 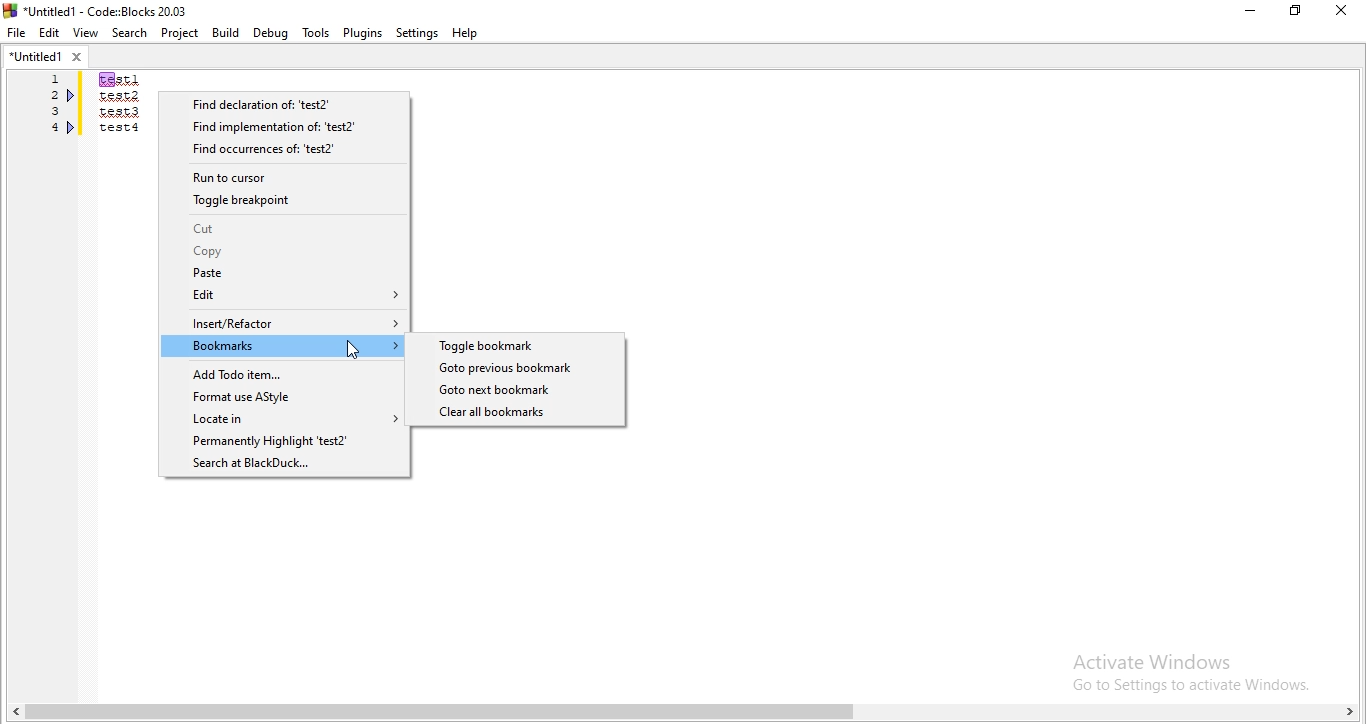 I want to click on Clear all bookmarks, so click(x=516, y=415).